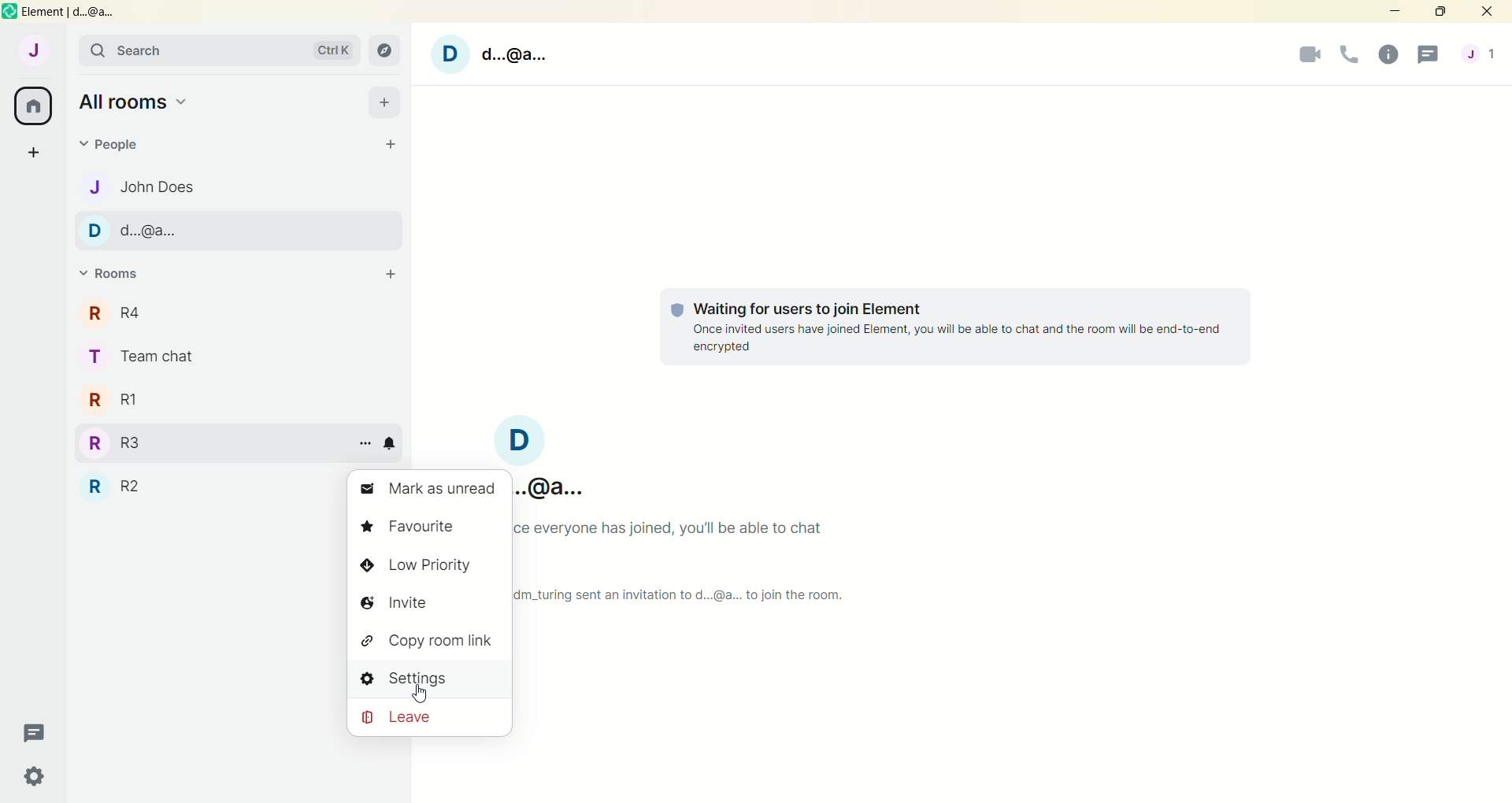 Image resolution: width=1512 pixels, height=803 pixels. Describe the element at coordinates (391, 146) in the screenshot. I see `start chat` at that location.